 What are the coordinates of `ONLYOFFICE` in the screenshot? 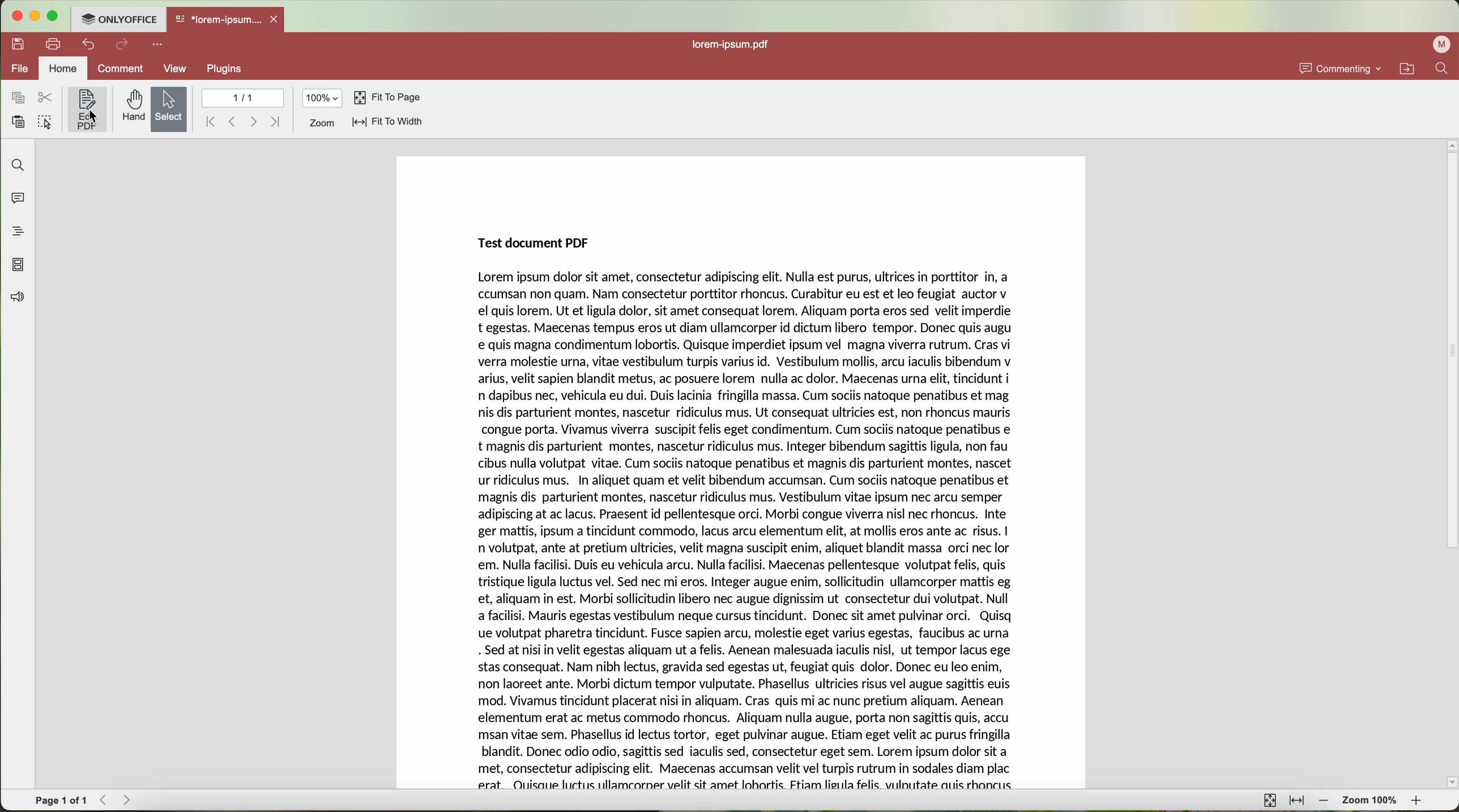 It's located at (118, 18).